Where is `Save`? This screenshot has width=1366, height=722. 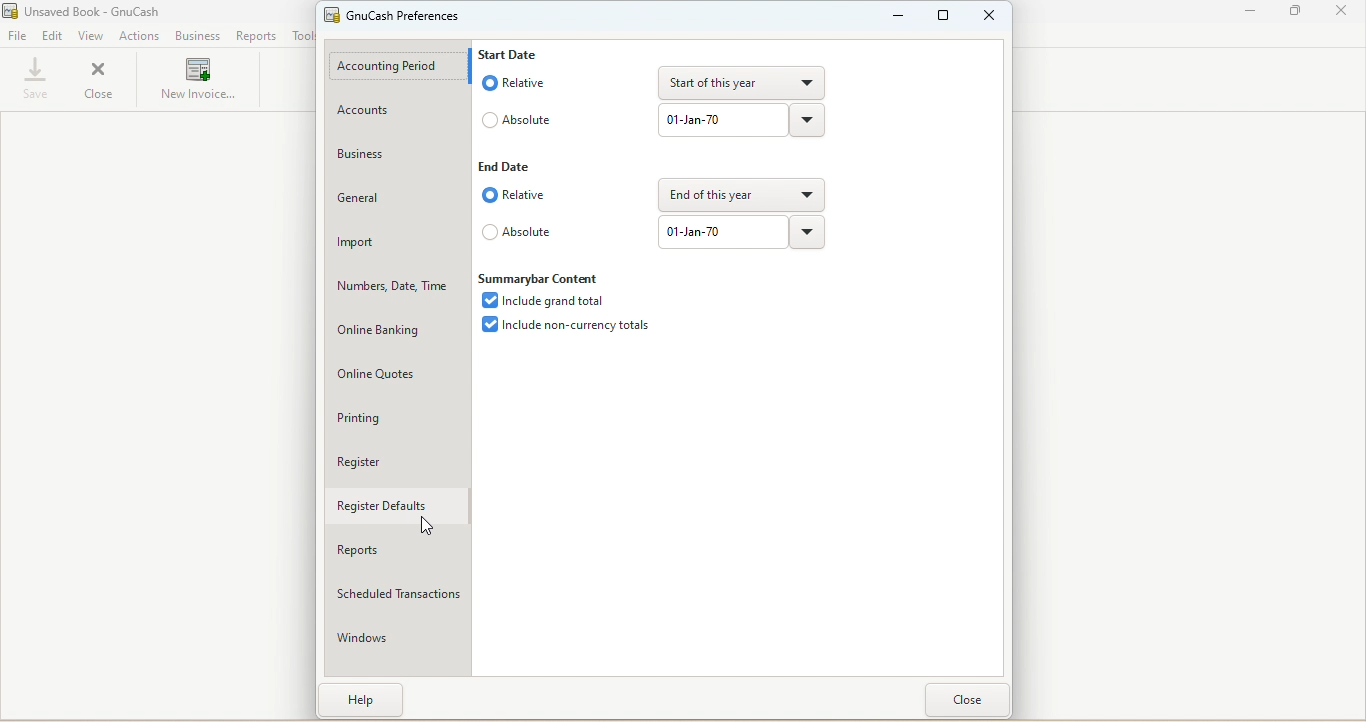
Save is located at coordinates (34, 81).